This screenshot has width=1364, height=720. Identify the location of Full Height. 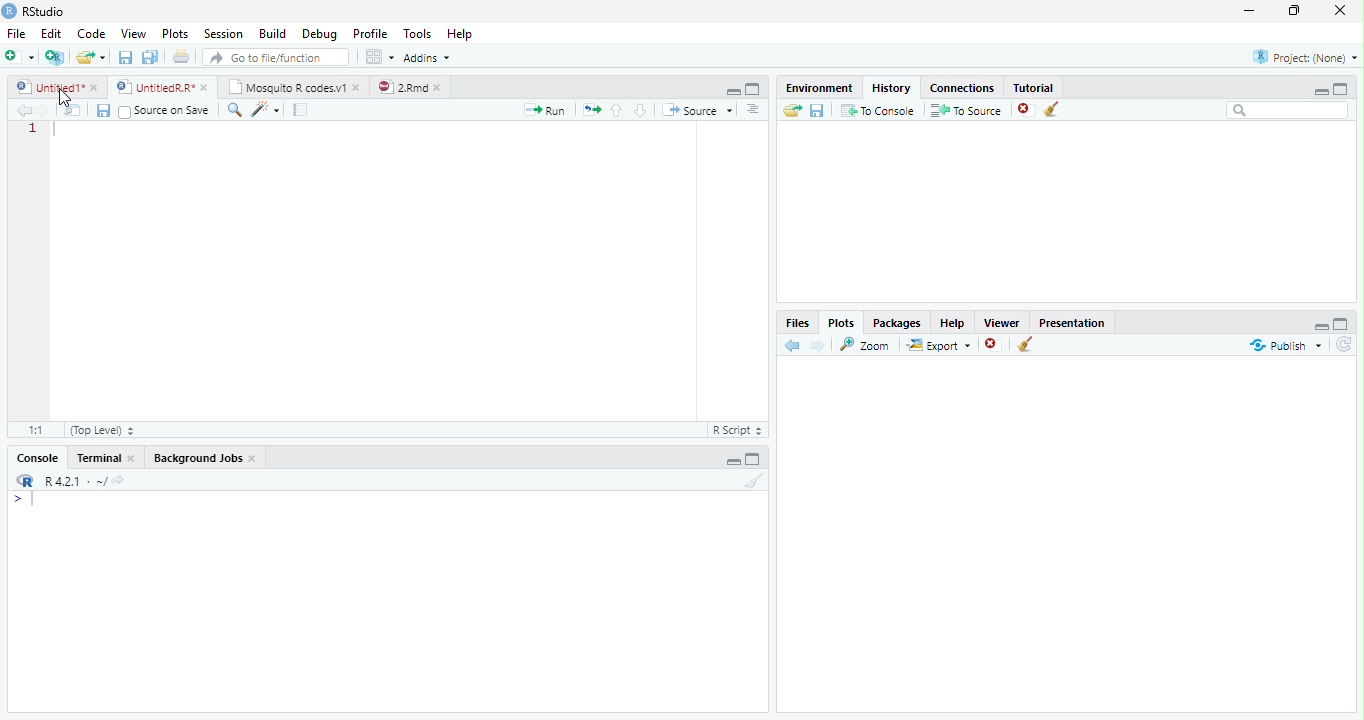
(1343, 322).